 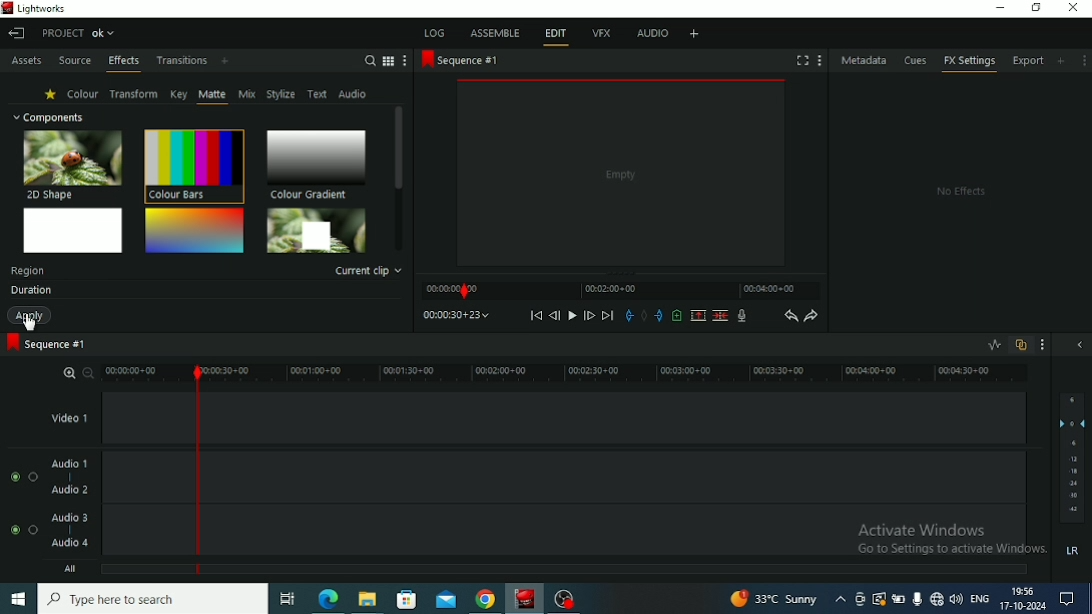 I want to click on Microsoft edge, so click(x=328, y=598).